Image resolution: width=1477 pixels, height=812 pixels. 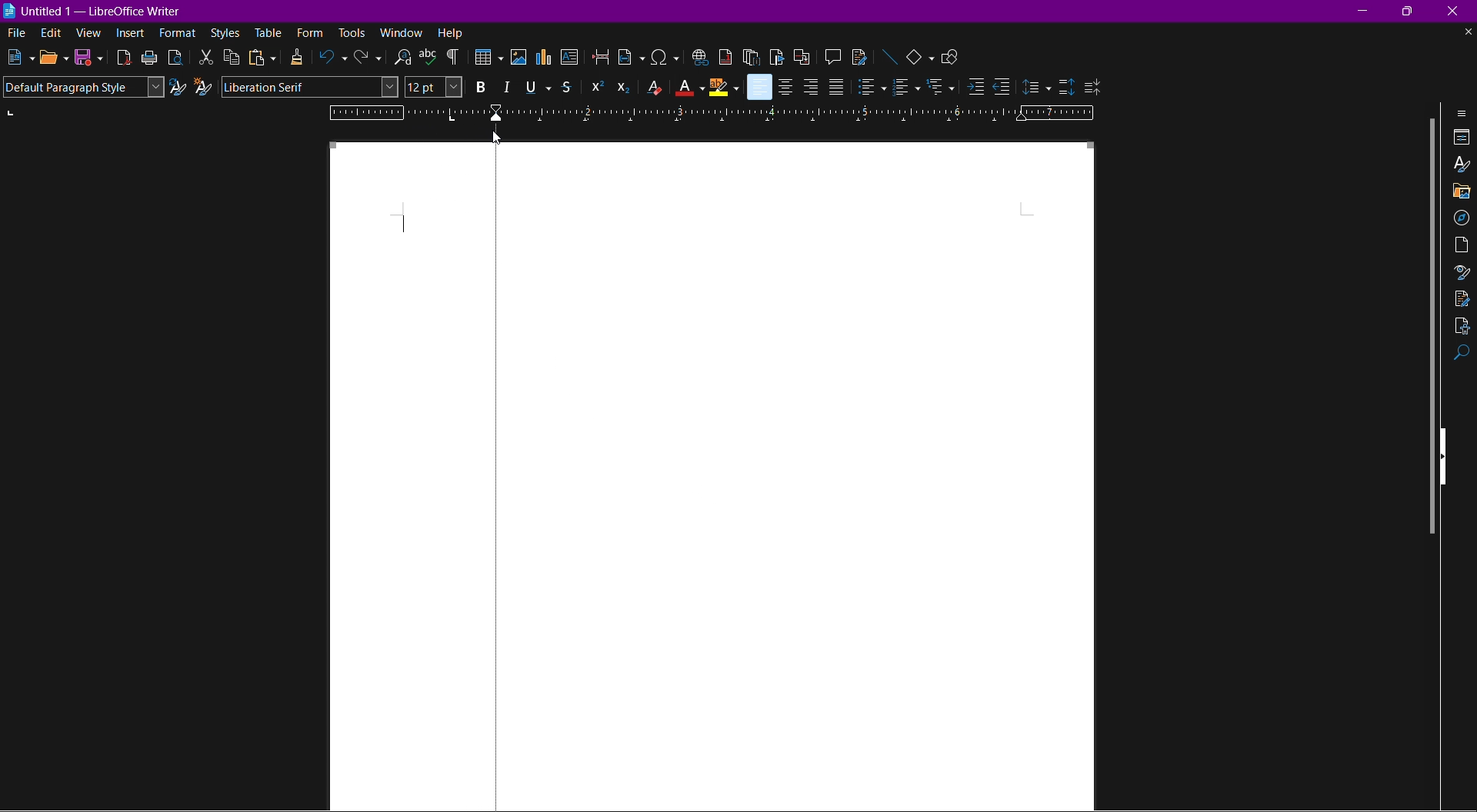 I want to click on window, so click(x=403, y=32).